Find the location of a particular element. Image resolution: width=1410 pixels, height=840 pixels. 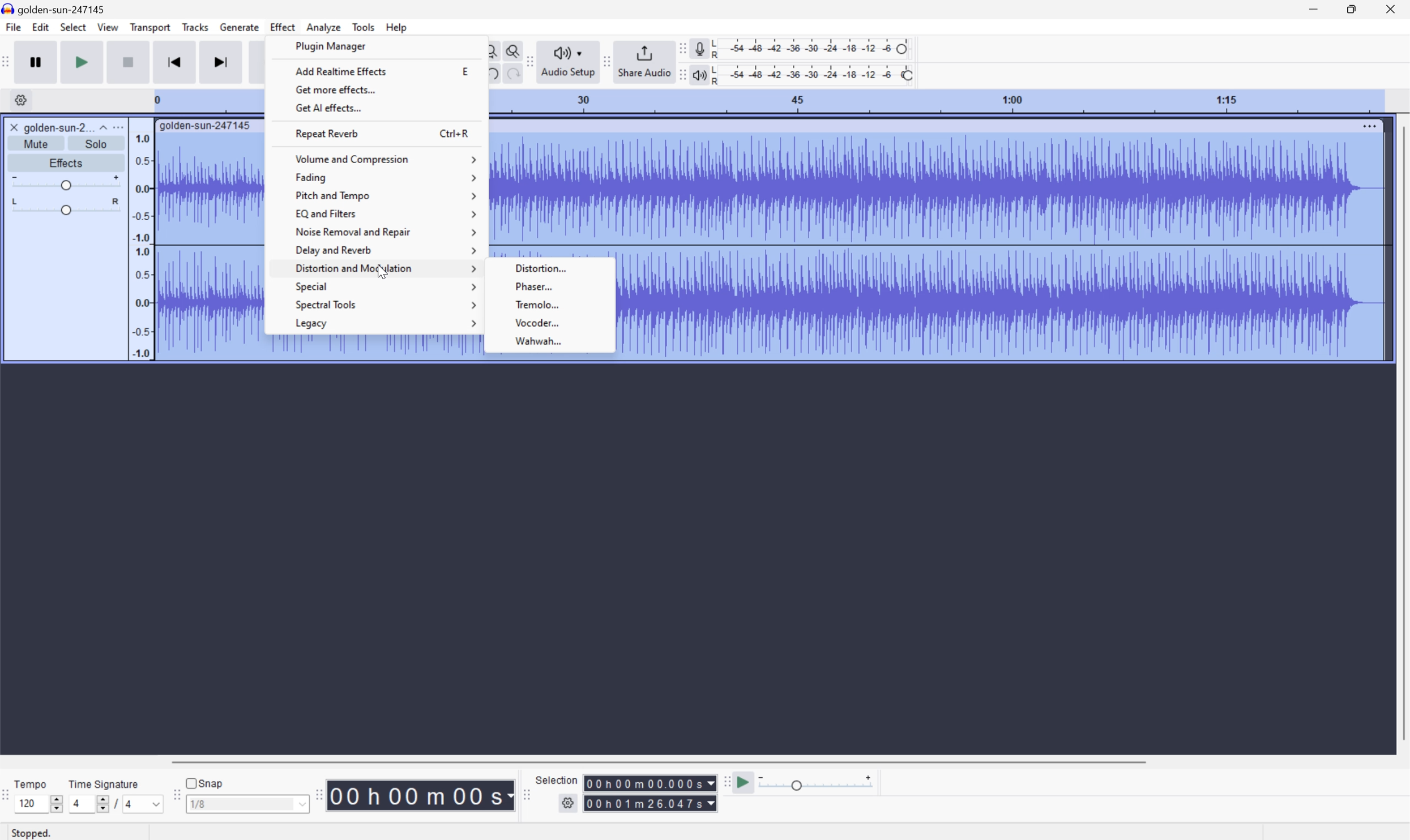

Audacity selection toolbar is located at coordinates (526, 798).